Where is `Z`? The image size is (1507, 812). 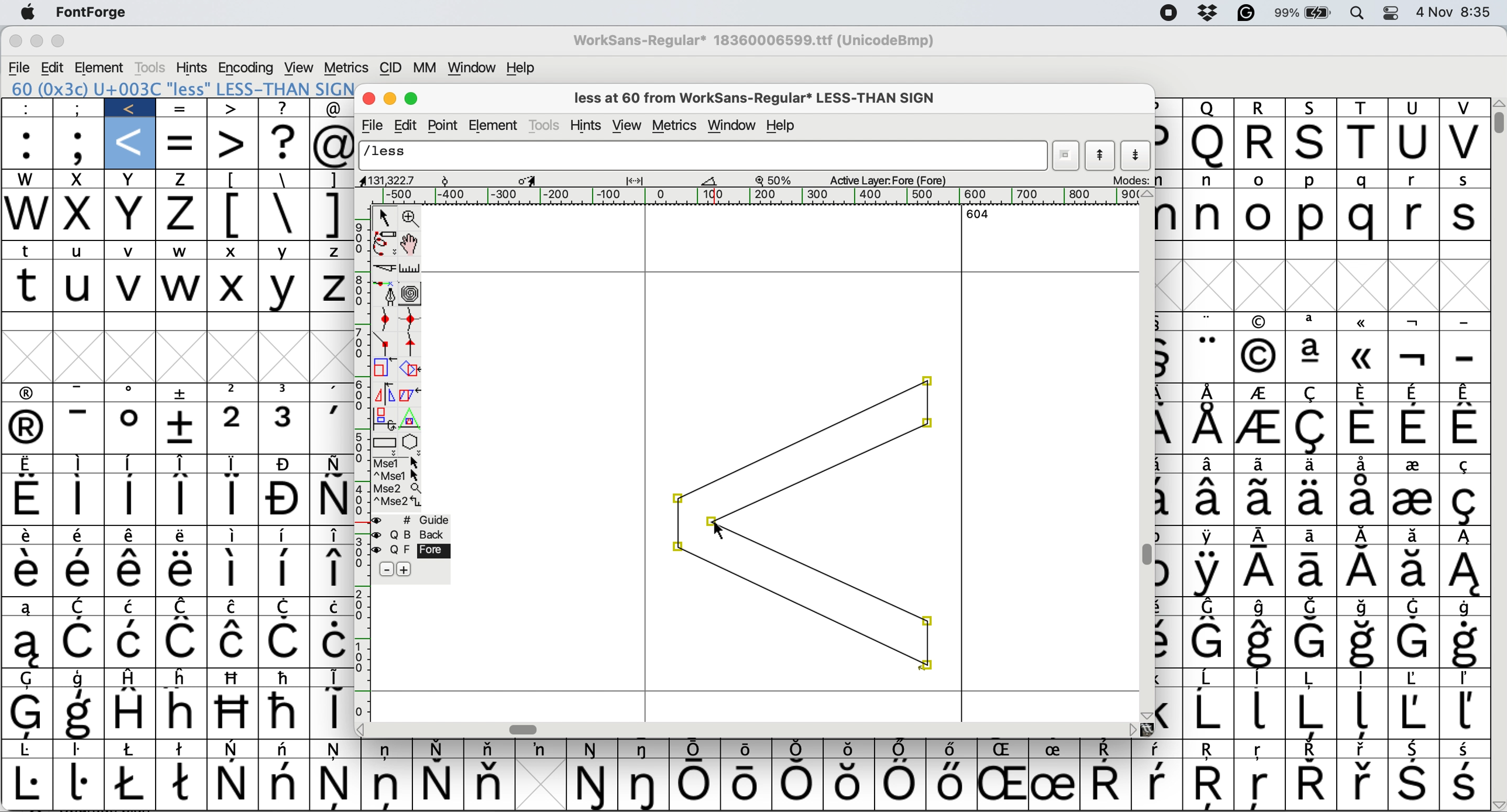 Z is located at coordinates (331, 251).